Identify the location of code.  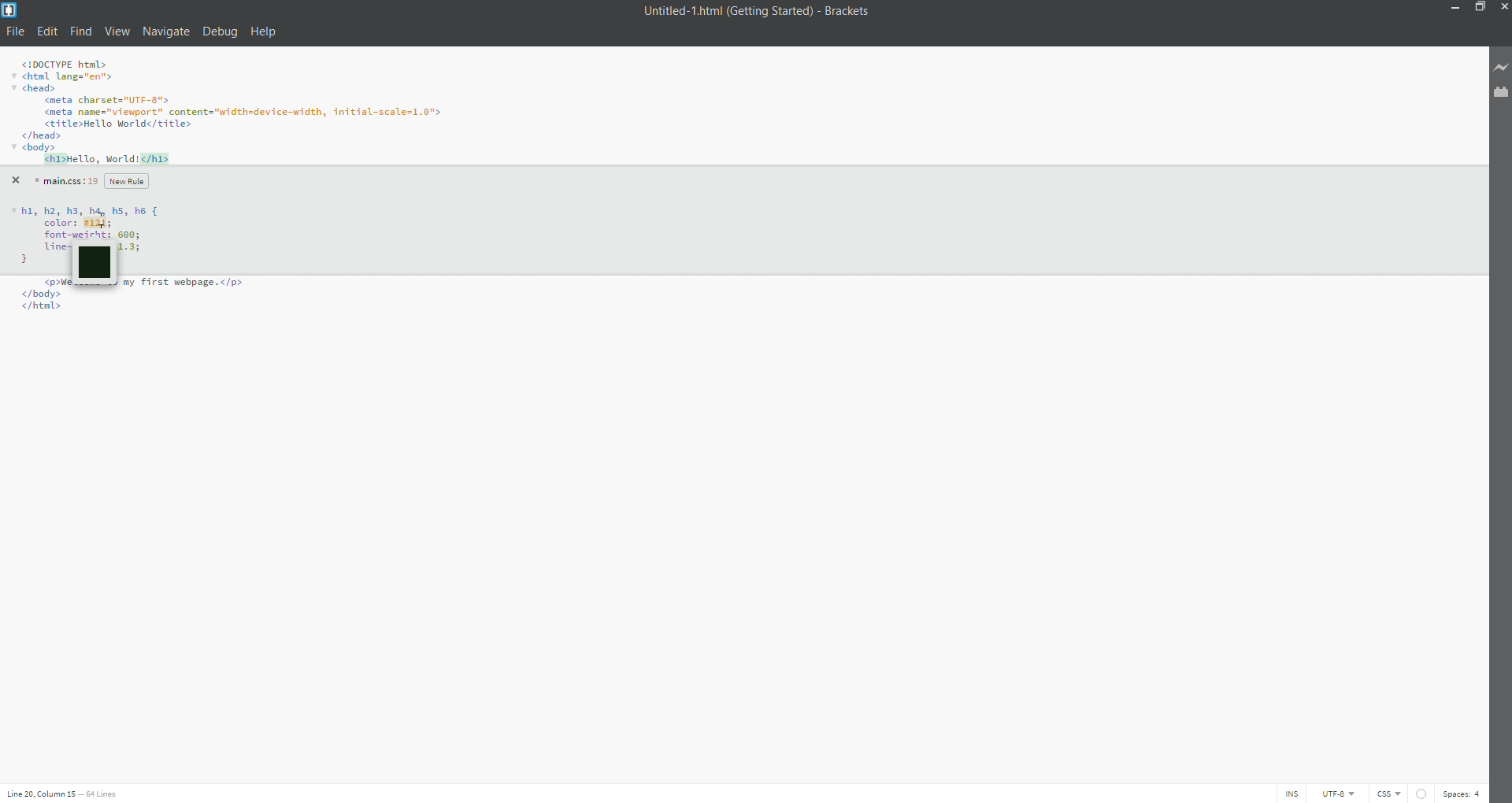
(238, 113).